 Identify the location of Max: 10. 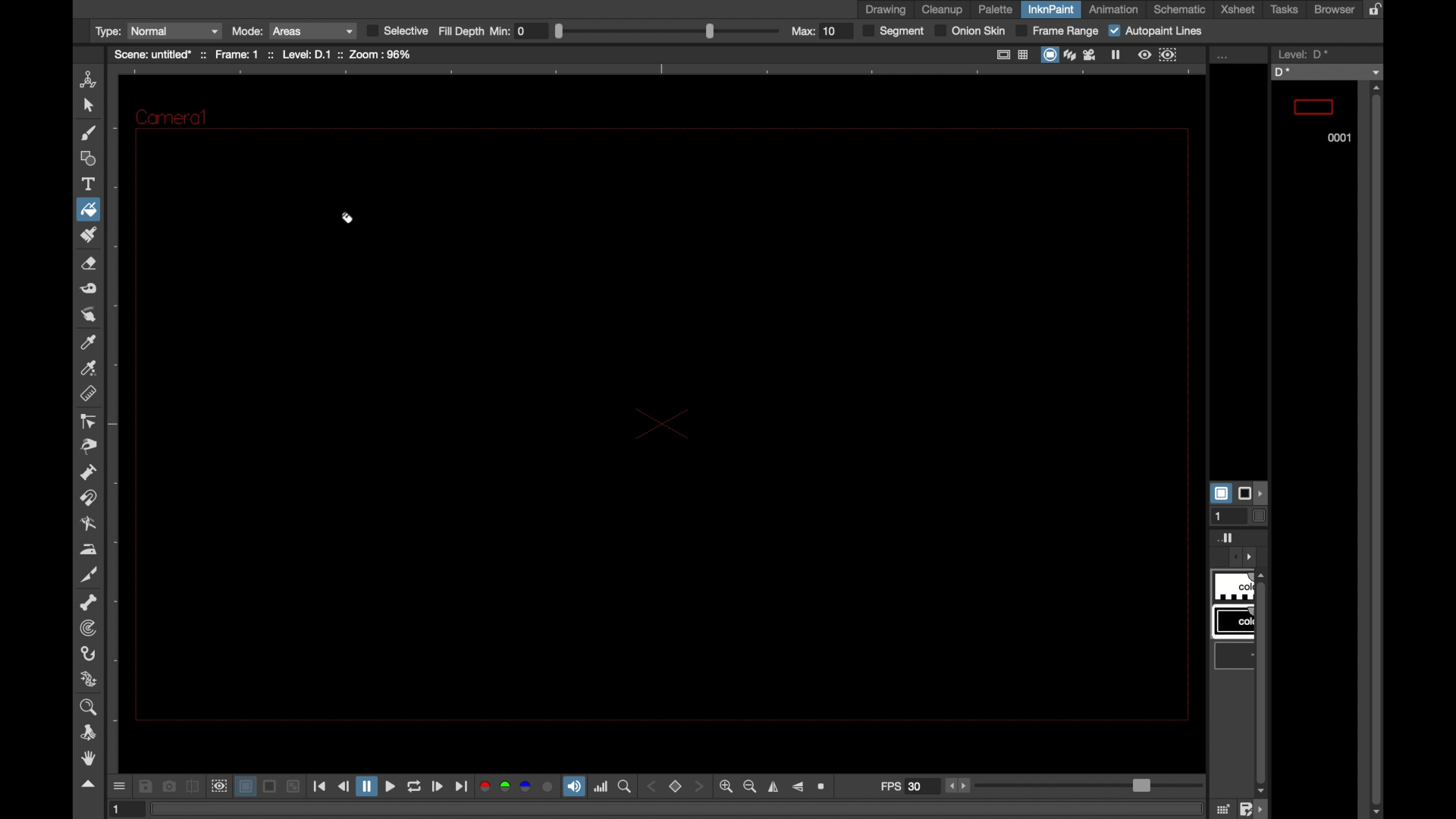
(821, 31).